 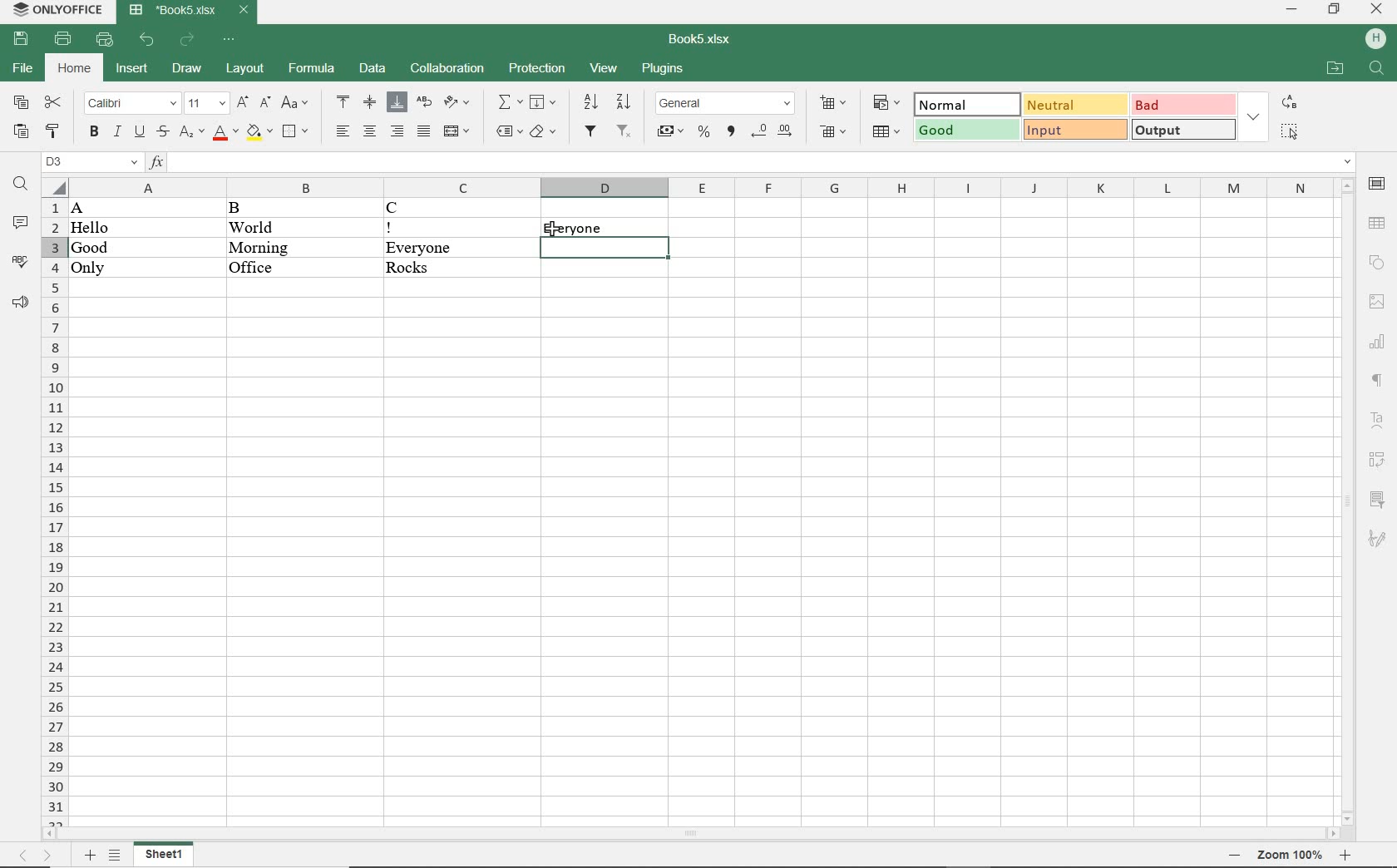 What do you see at coordinates (727, 103) in the screenshot?
I see `number format` at bounding box center [727, 103].